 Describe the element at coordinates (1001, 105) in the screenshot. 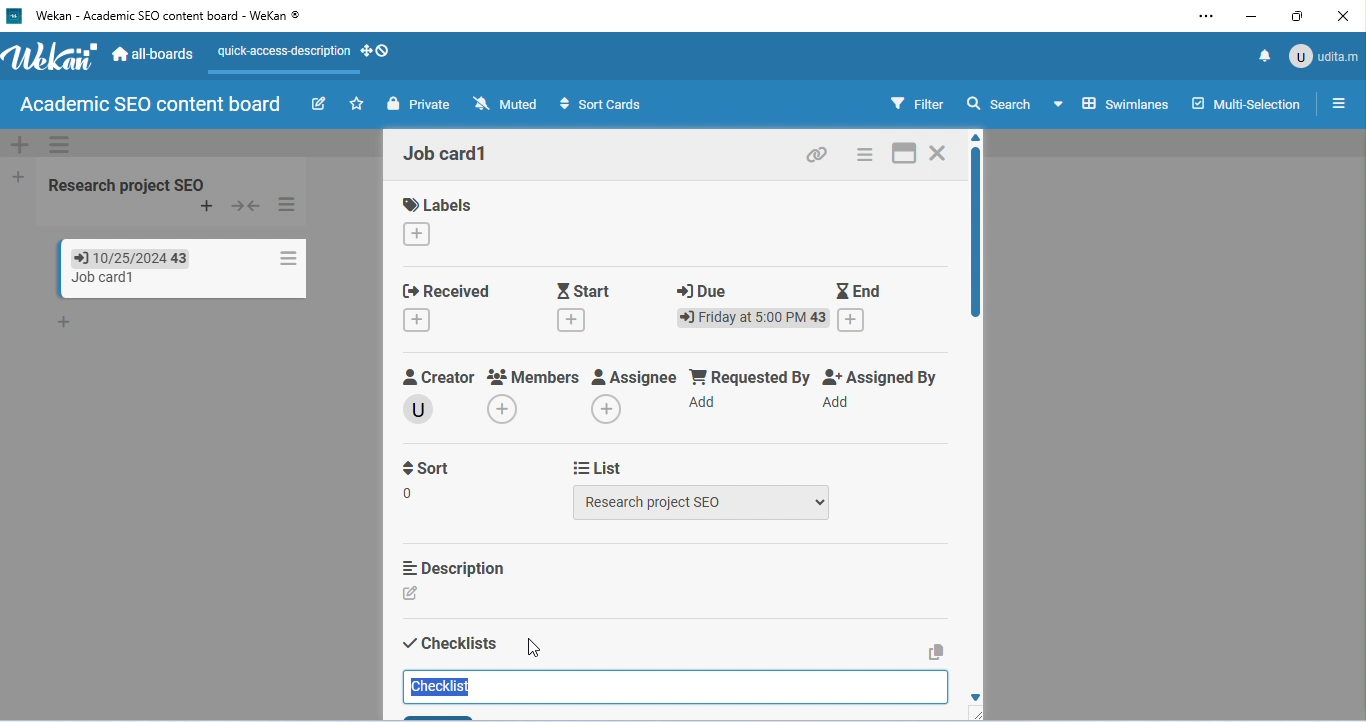

I see `search` at that location.